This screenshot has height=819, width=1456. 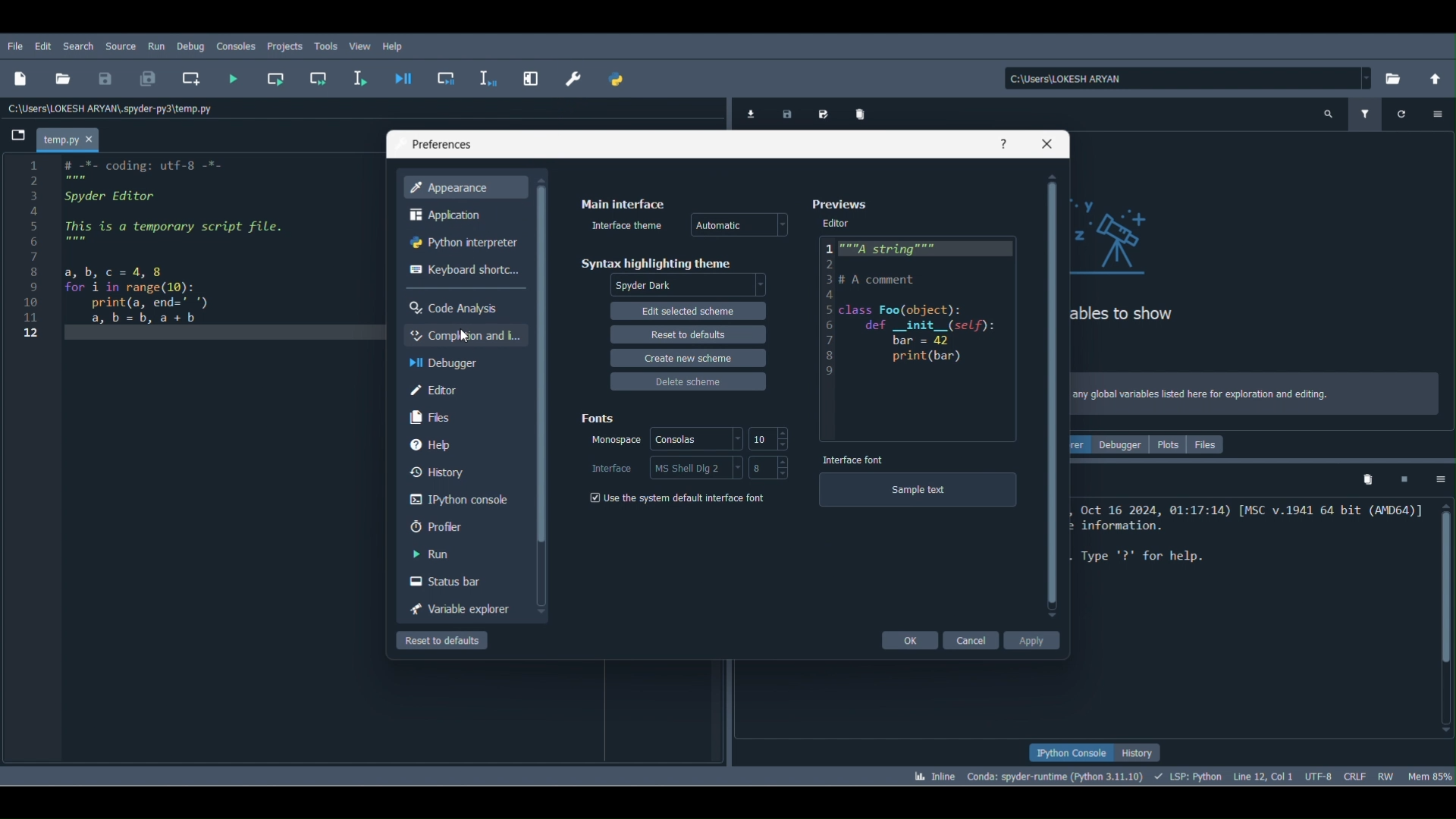 What do you see at coordinates (438, 529) in the screenshot?
I see `Profiler` at bounding box center [438, 529].